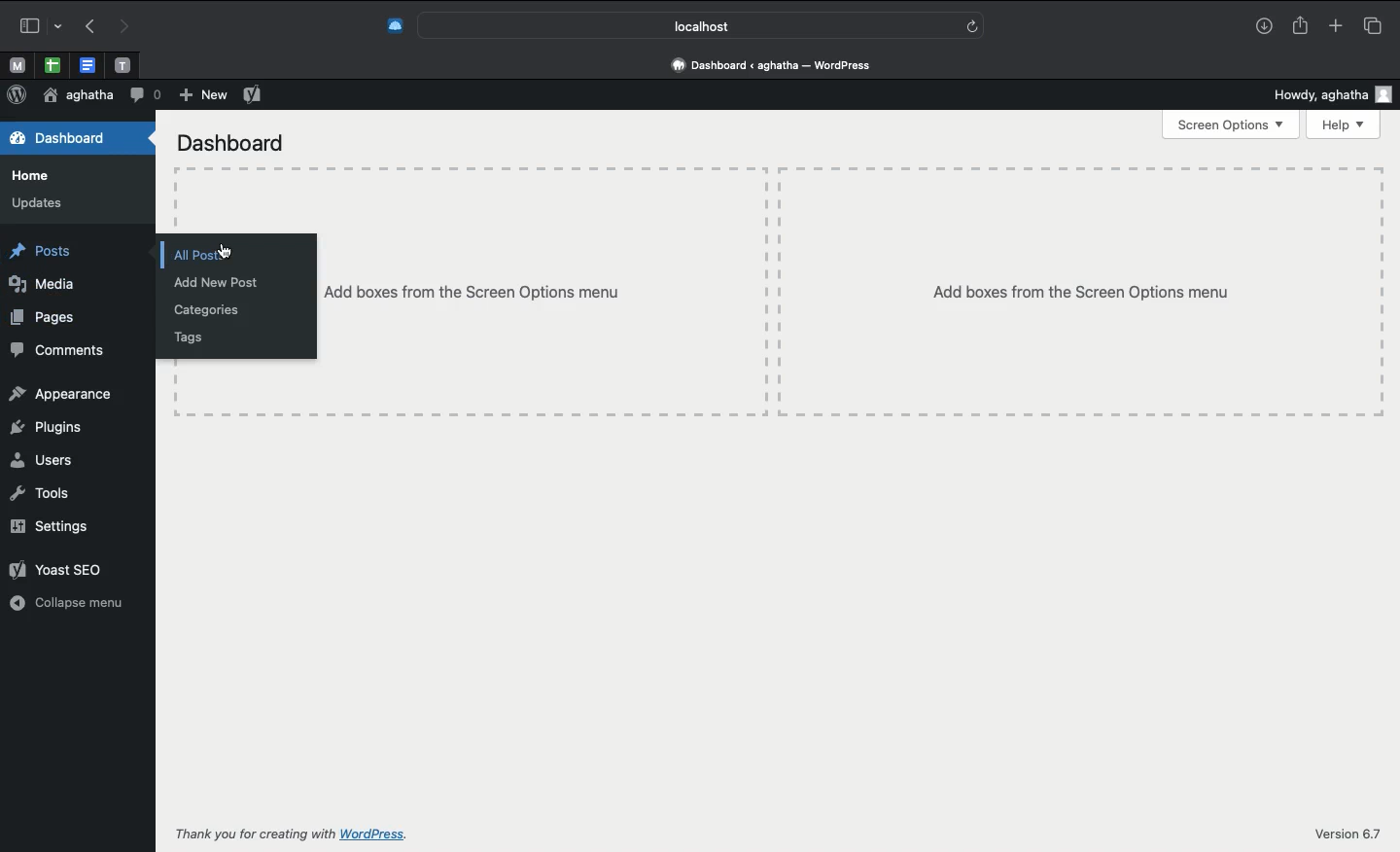 Image resolution: width=1400 pixels, height=852 pixels. What do you see at coordinates (200, 95) in the screenshot?
I see `New` at bounding box center [200, 95].